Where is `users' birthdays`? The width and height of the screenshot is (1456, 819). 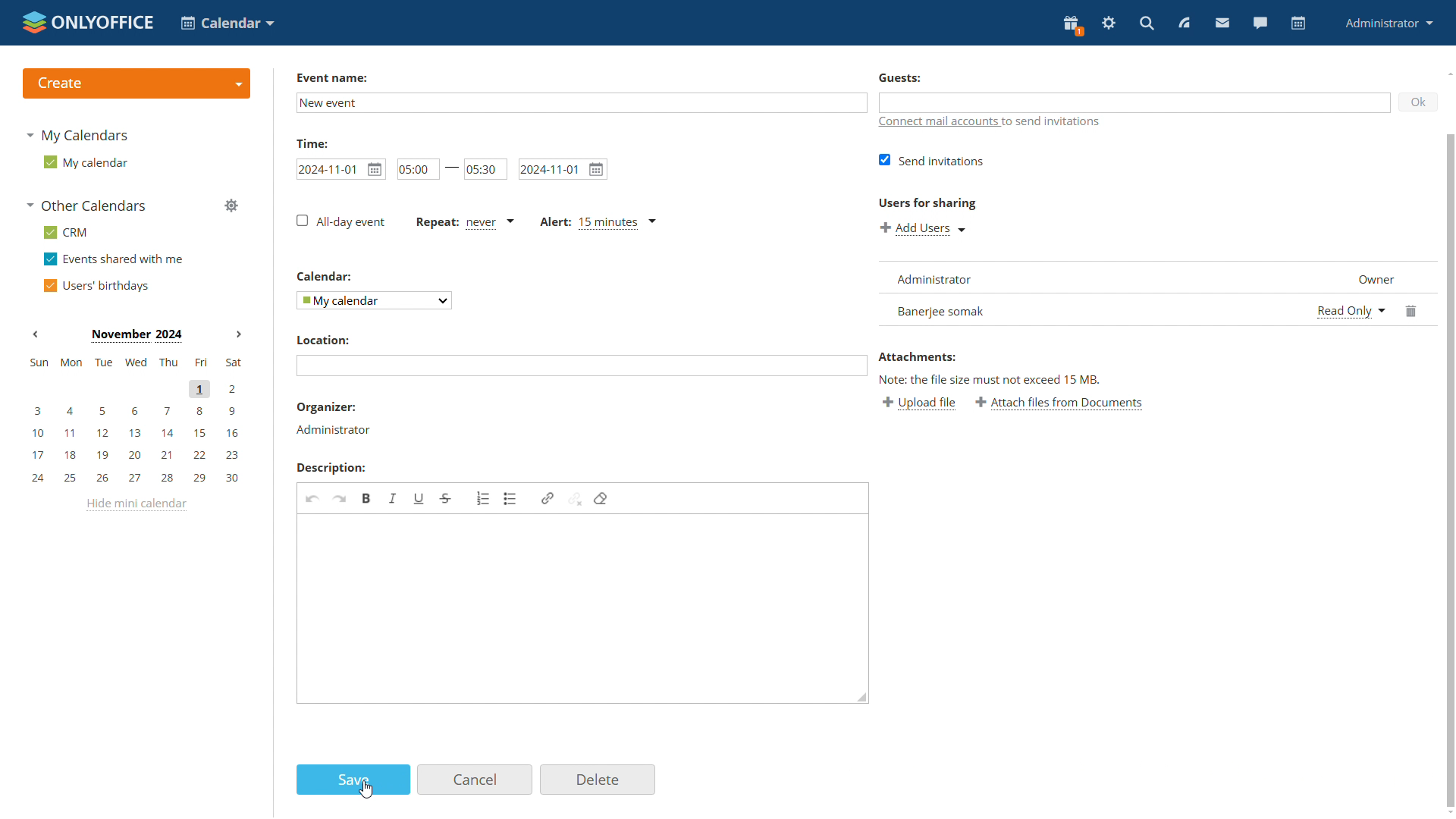
users' birthdays is located at coordinates (99, 287).